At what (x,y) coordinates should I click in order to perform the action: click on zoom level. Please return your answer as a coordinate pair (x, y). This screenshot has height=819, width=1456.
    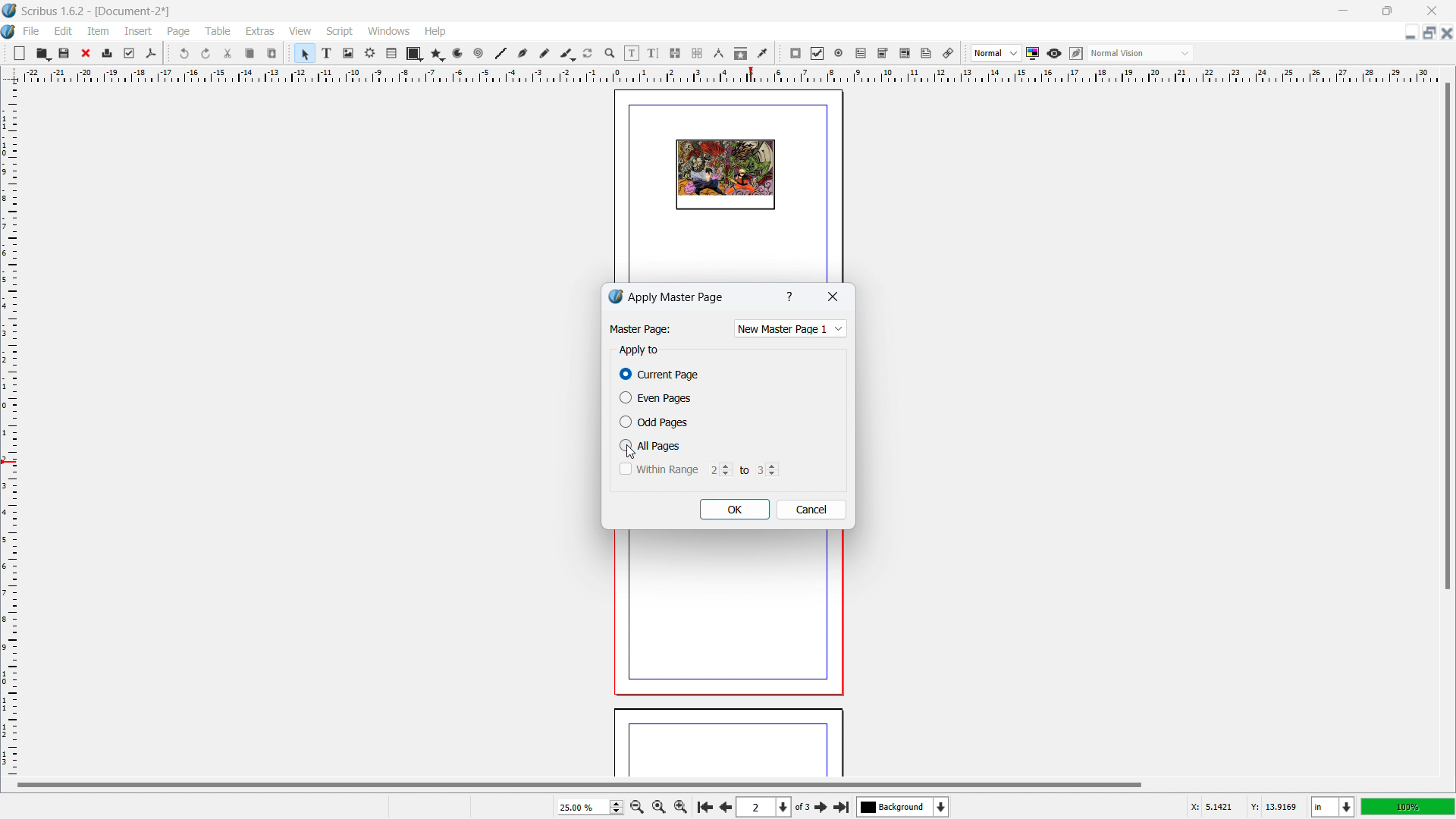
    Looking at the image, I should click on (590, 807).